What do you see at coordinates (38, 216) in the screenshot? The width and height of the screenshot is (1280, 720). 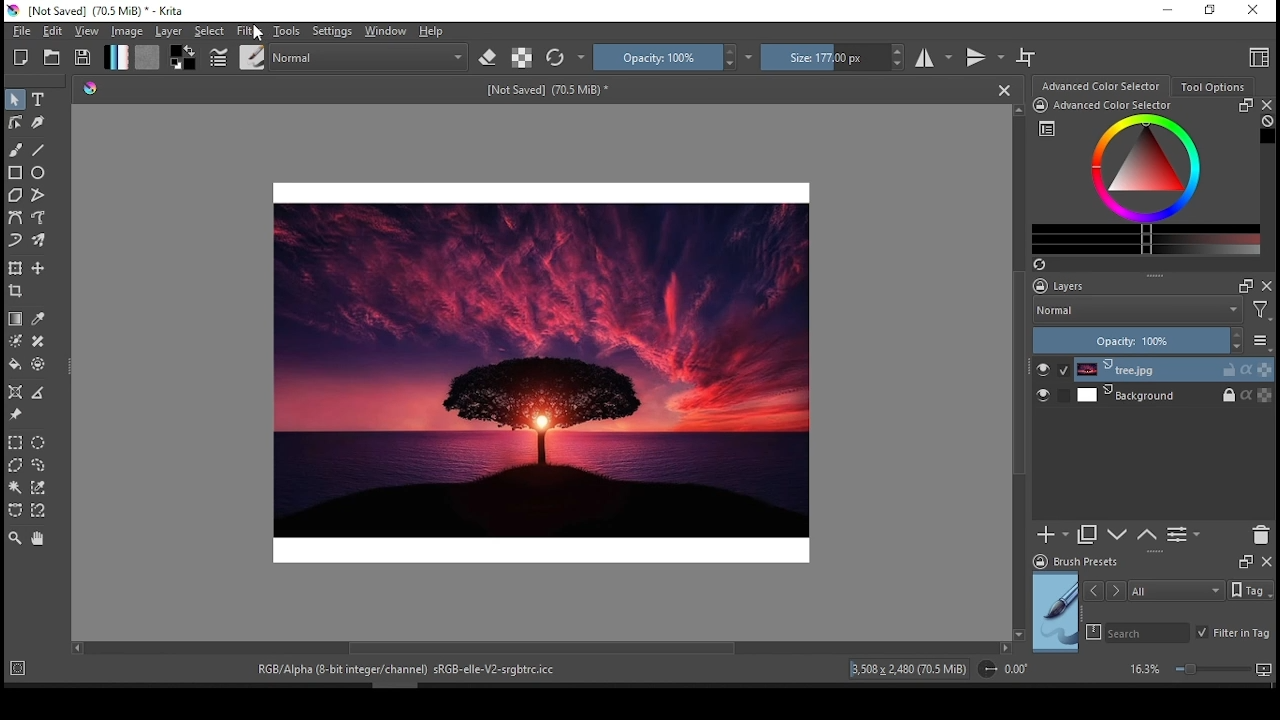 I see `freehand path tool` at bounding box center [38, 216].